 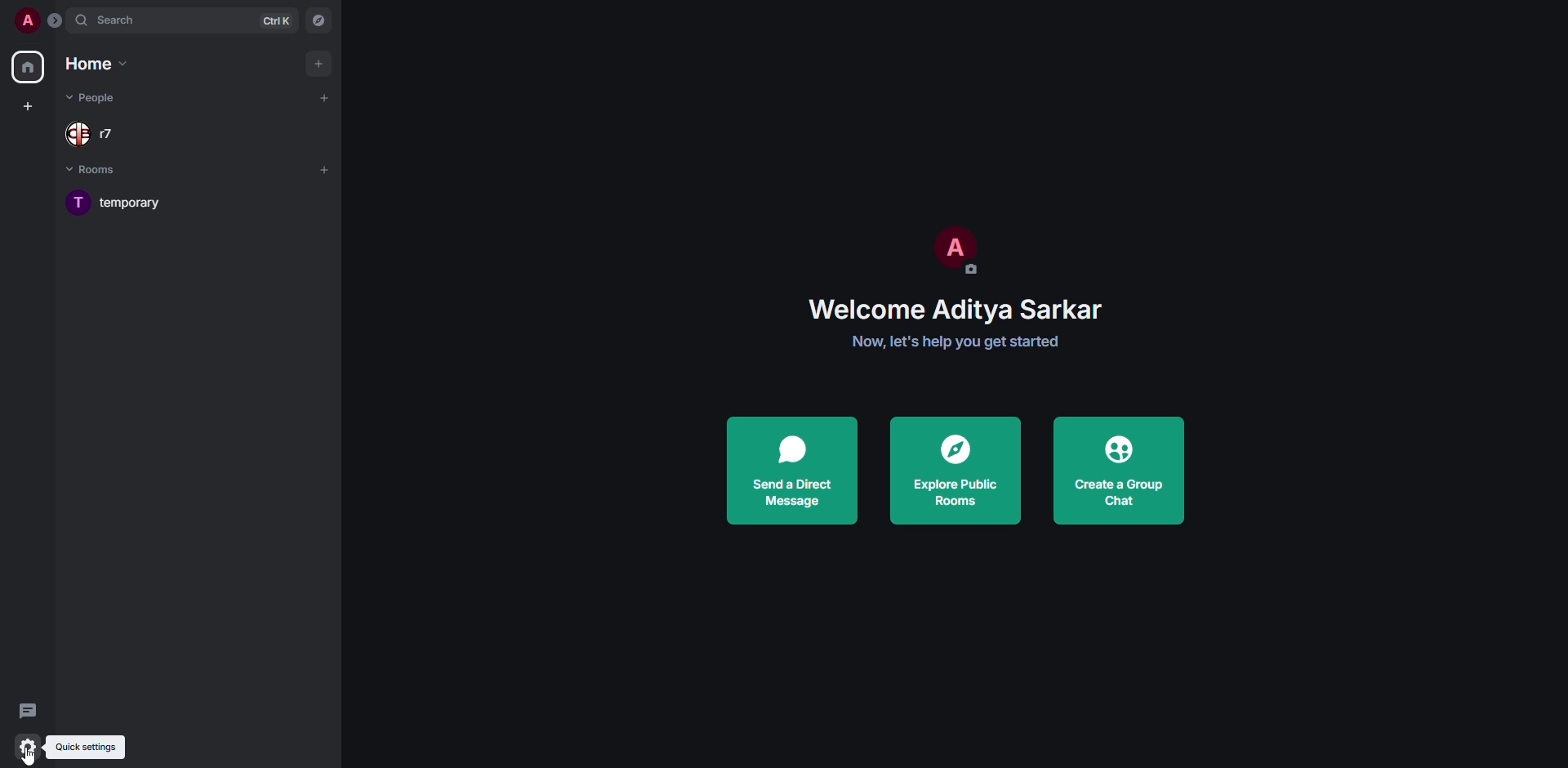 What do you see at coordinates (96, 63) in the screenshot?
I see `home` at bounding box center [96, 63].